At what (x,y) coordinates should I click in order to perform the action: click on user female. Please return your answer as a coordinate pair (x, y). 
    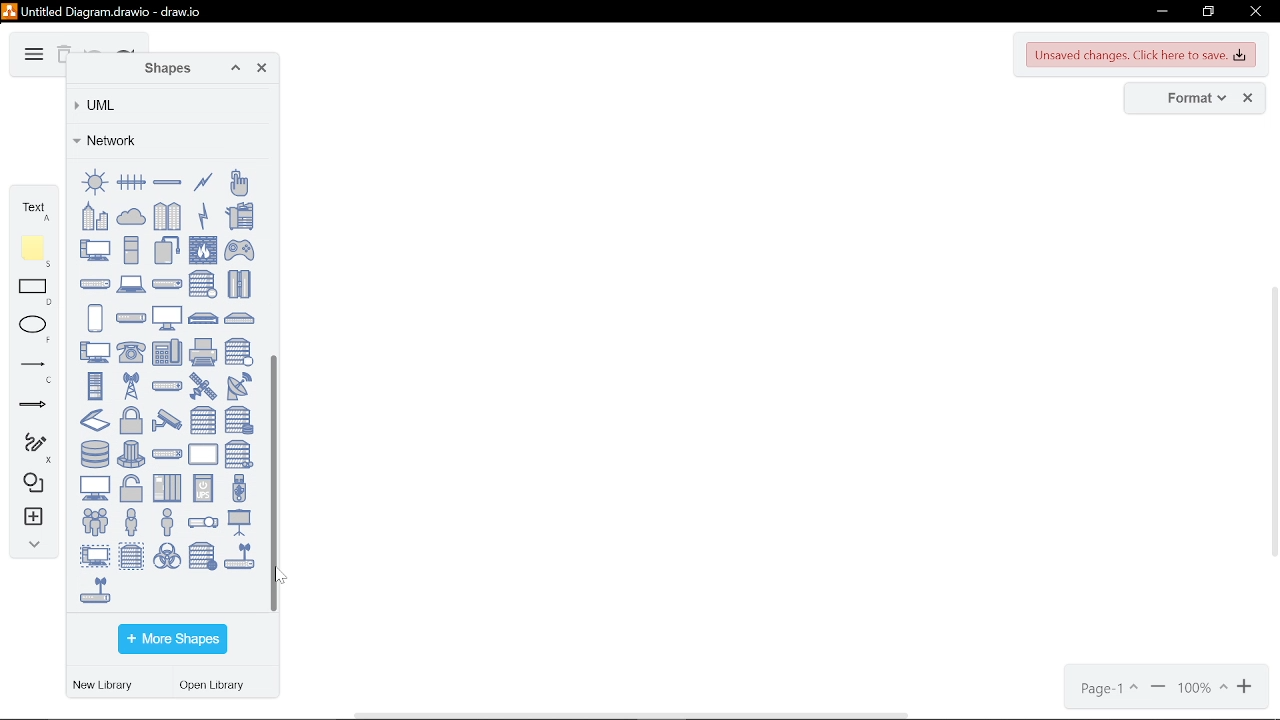
    Looking at the image, I should click on (131, 521).